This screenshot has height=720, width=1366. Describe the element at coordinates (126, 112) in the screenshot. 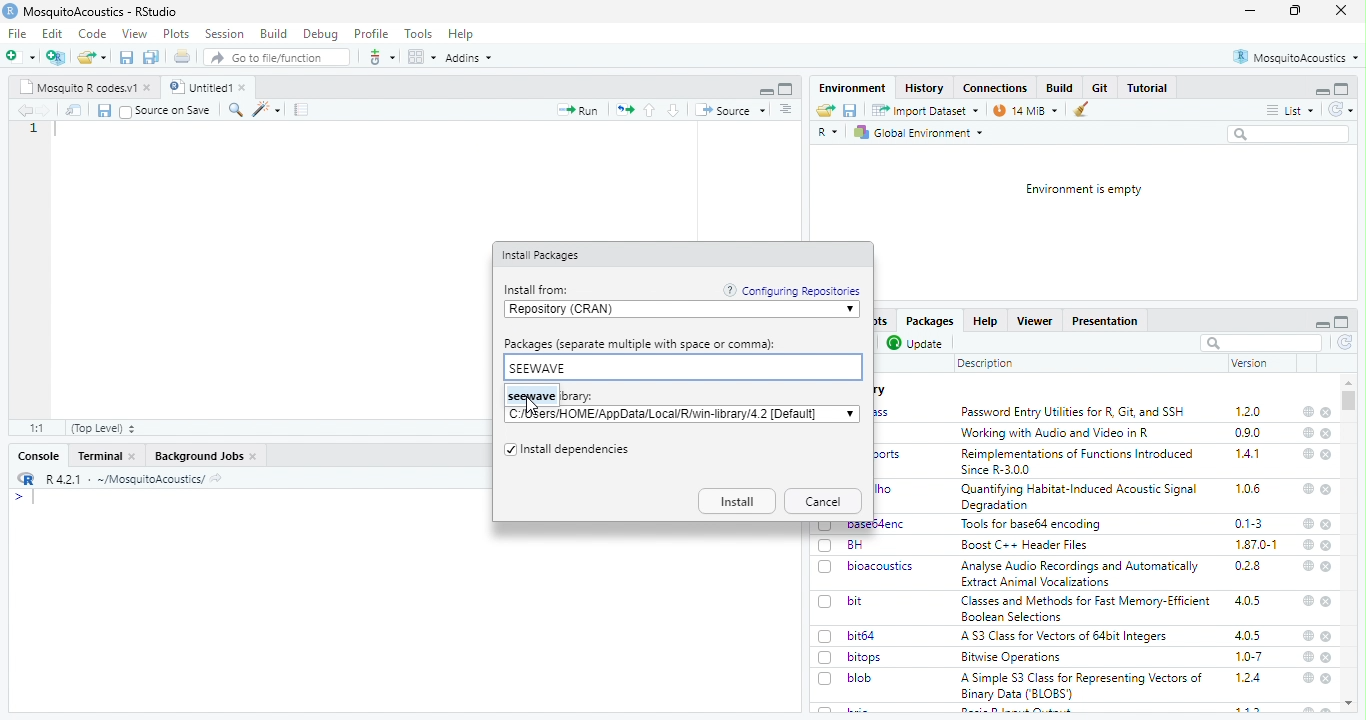

I see `checkbox` at that location.